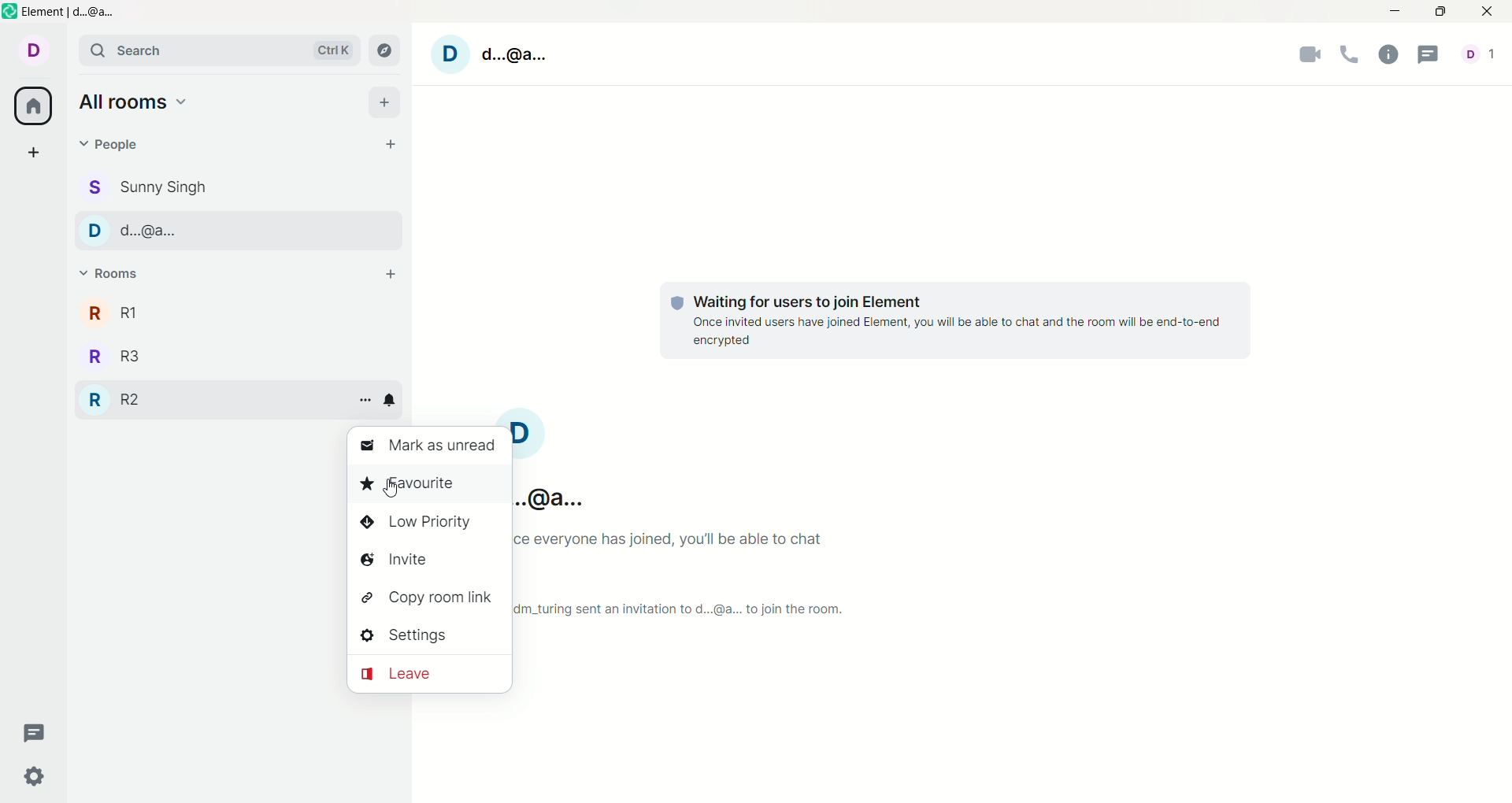 The image size is (1512, 803). I want to click on threads, so click(1431, 57).